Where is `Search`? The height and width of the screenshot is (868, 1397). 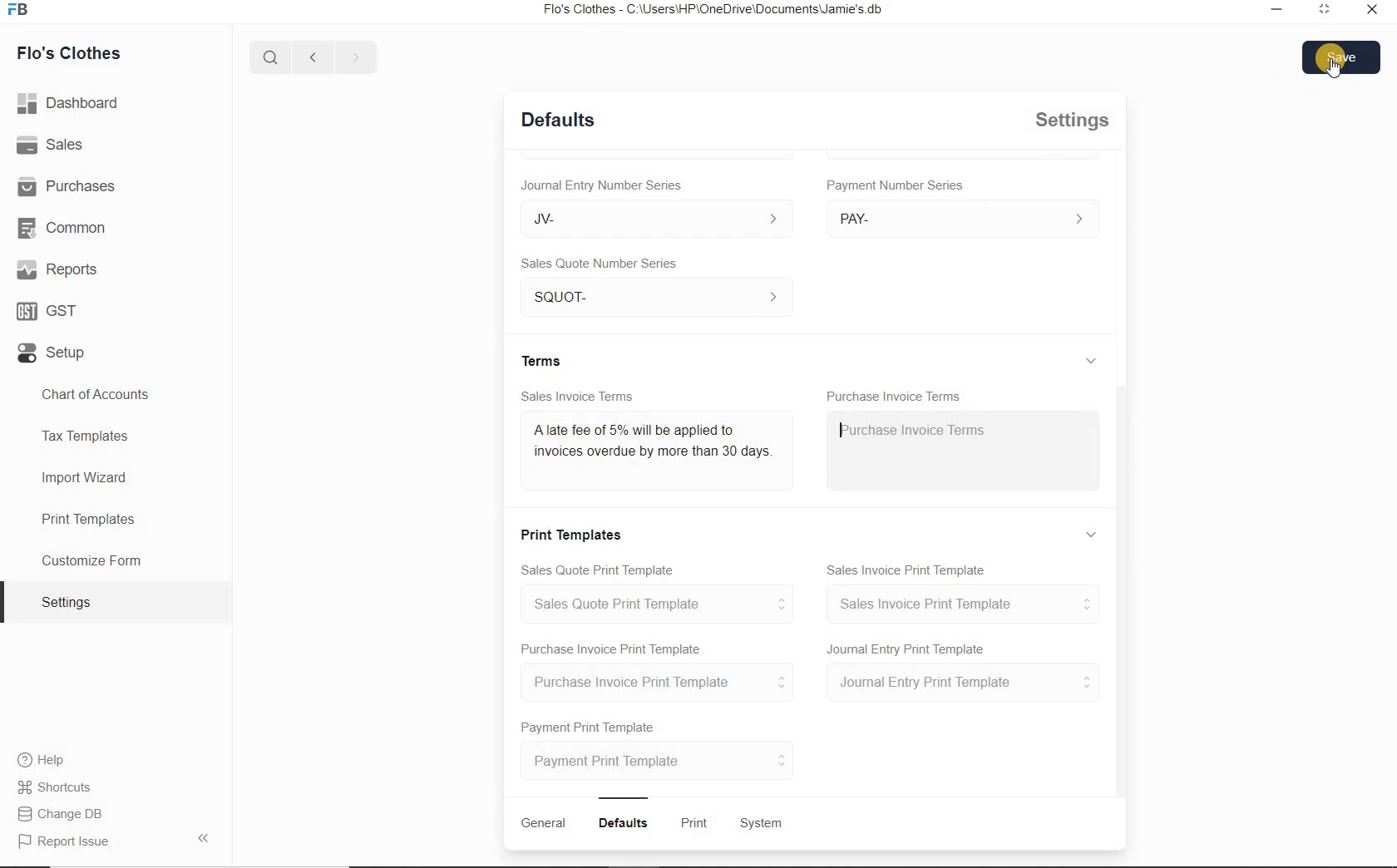 Search is located at coordinates (268, 55).